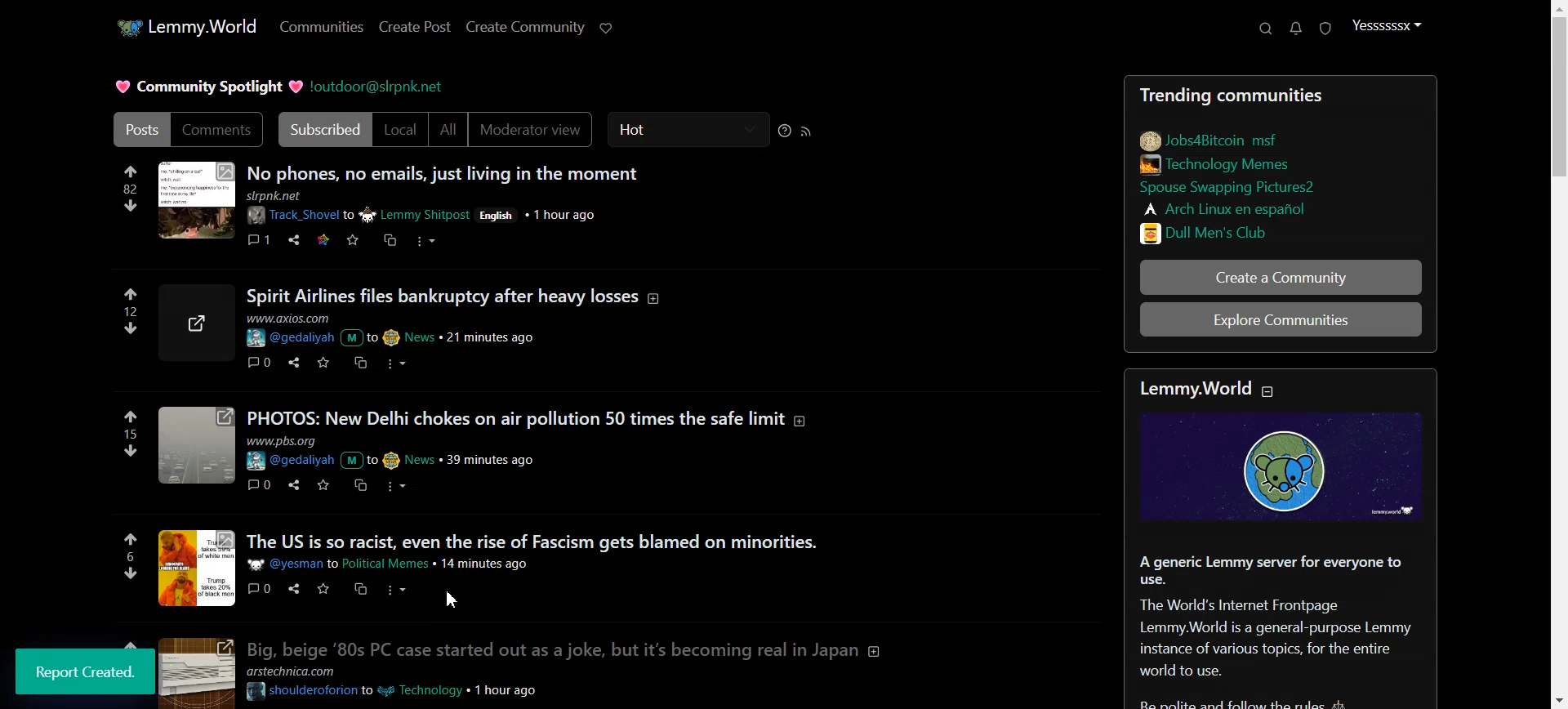 This screenshot has width=1568, height=709. I want to click on image, so click(1288, 468).